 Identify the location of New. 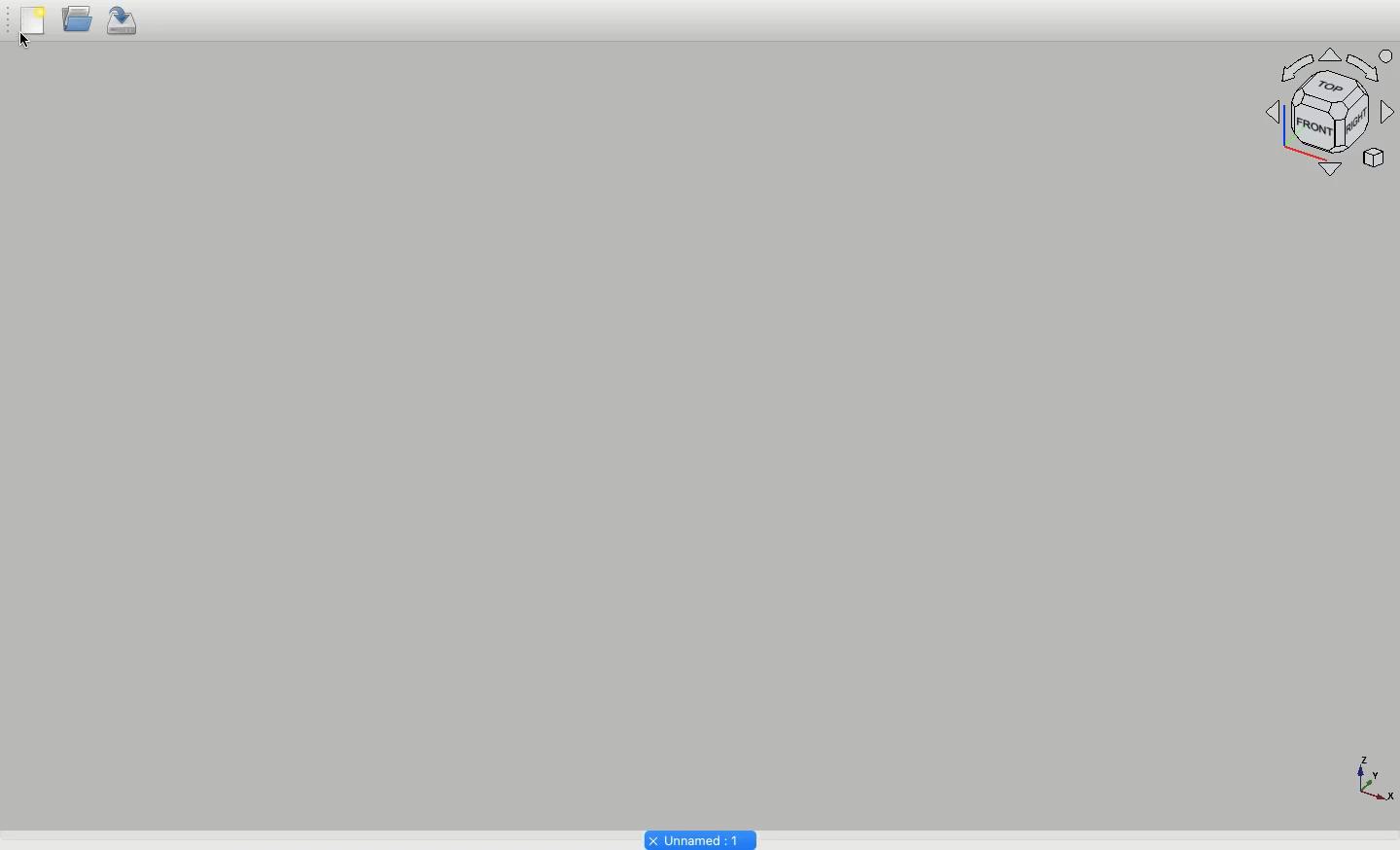
(32, 27).